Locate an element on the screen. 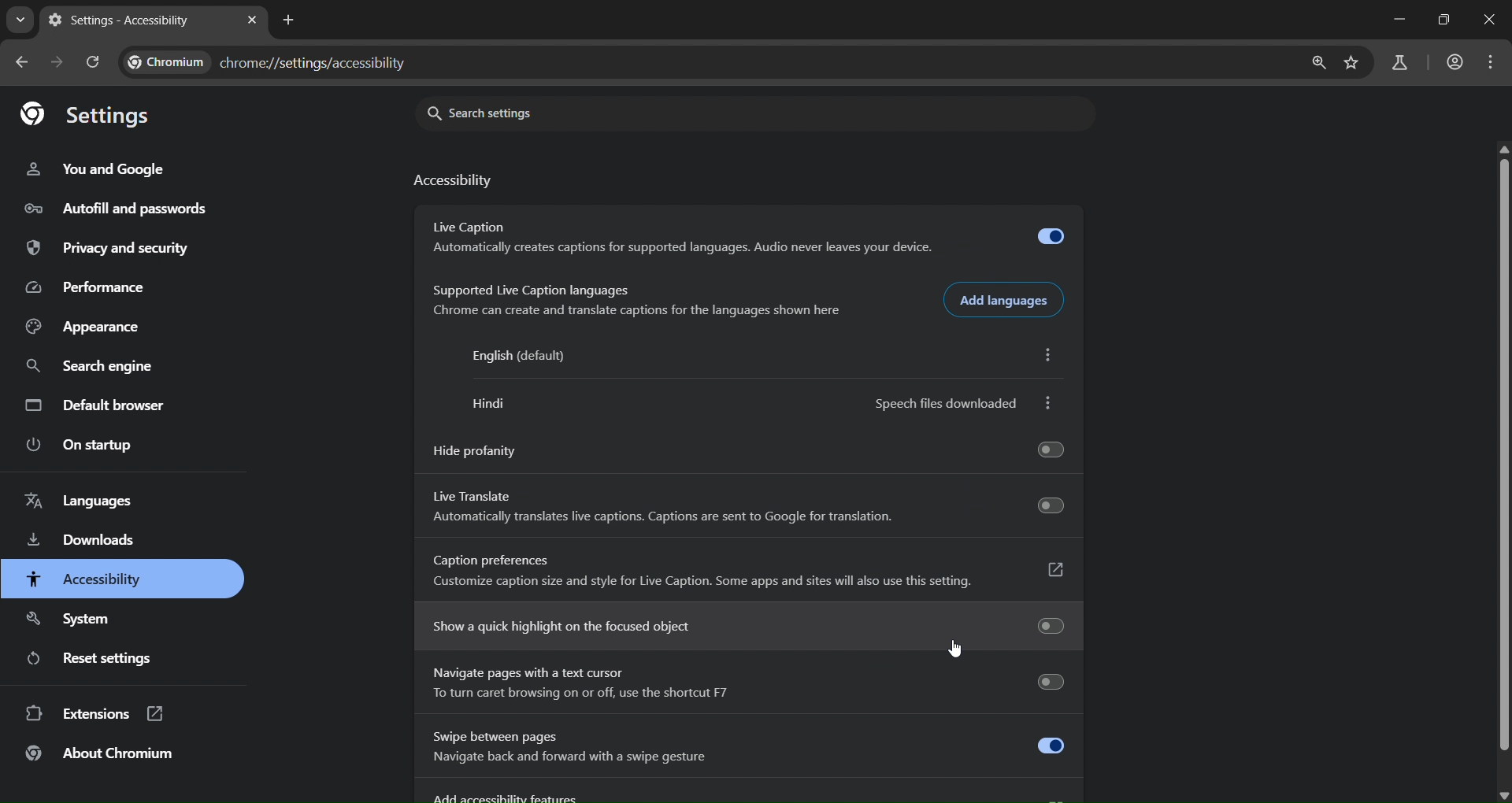 The height and width of the screenshot is (803, 1512). go back one page is located at coordinates (24, 61).